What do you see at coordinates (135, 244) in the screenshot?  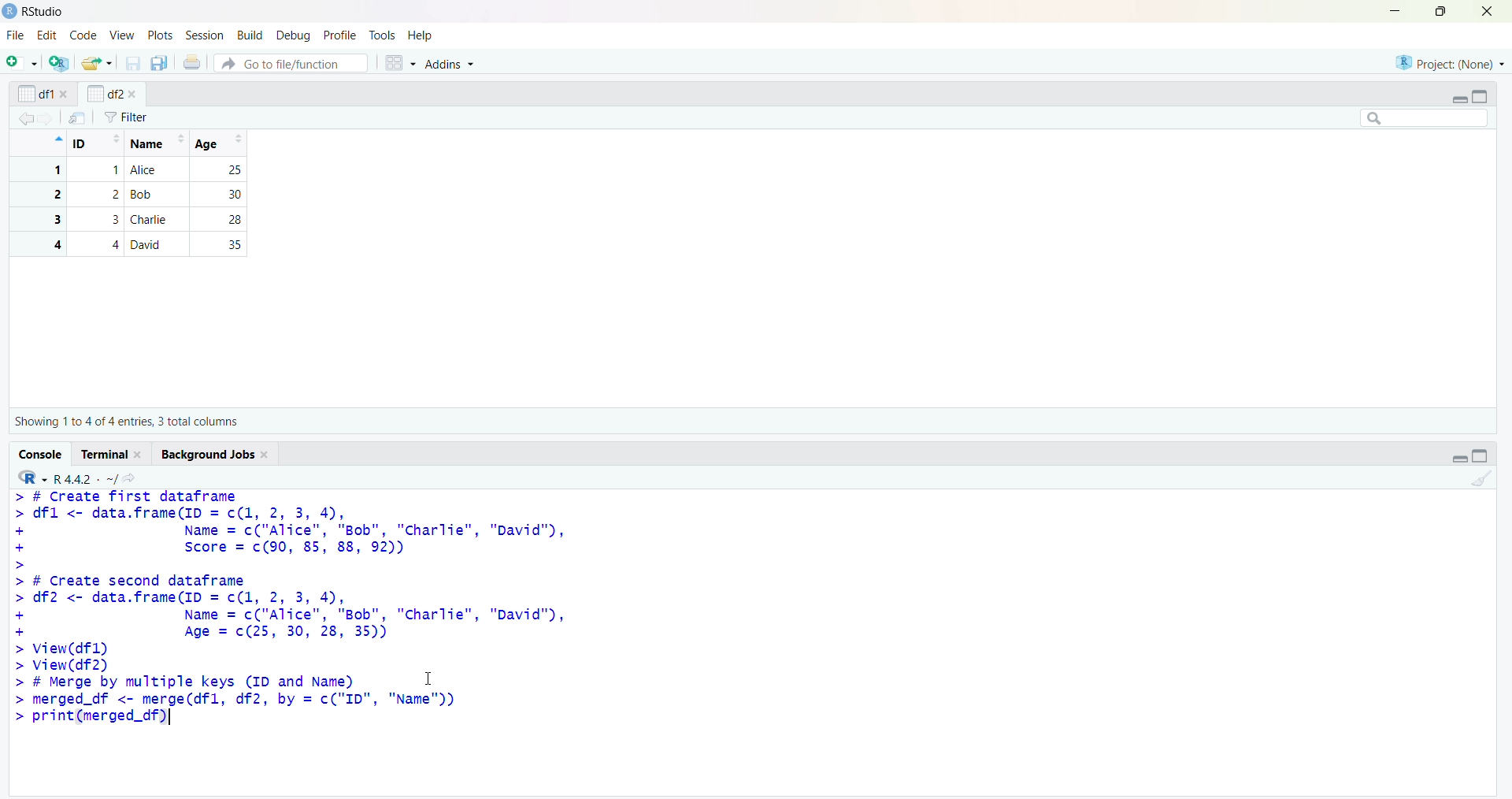 I see `4 4 David 35` at bounding box center [135, 244].